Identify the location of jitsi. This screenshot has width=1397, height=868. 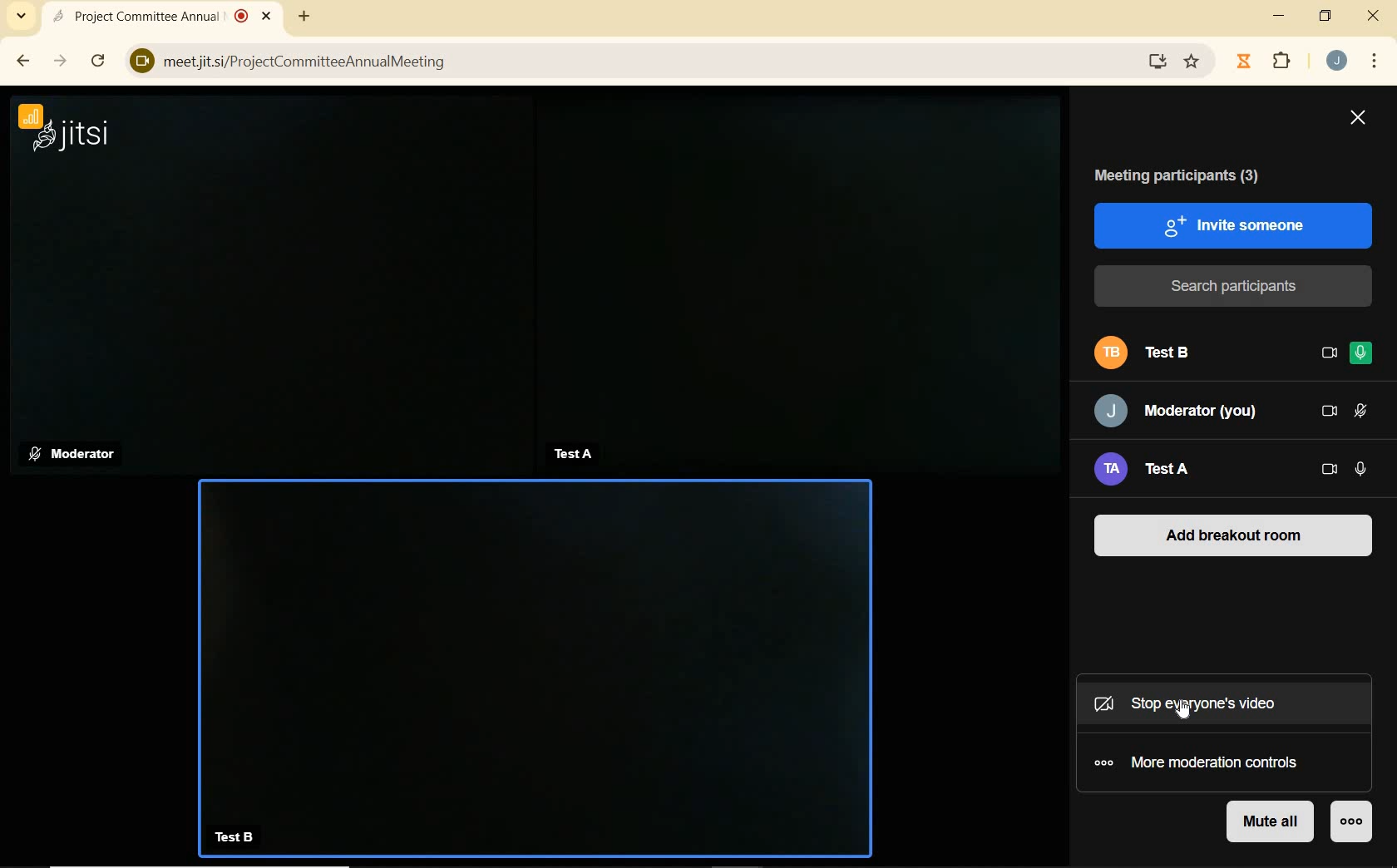
(88, 134).